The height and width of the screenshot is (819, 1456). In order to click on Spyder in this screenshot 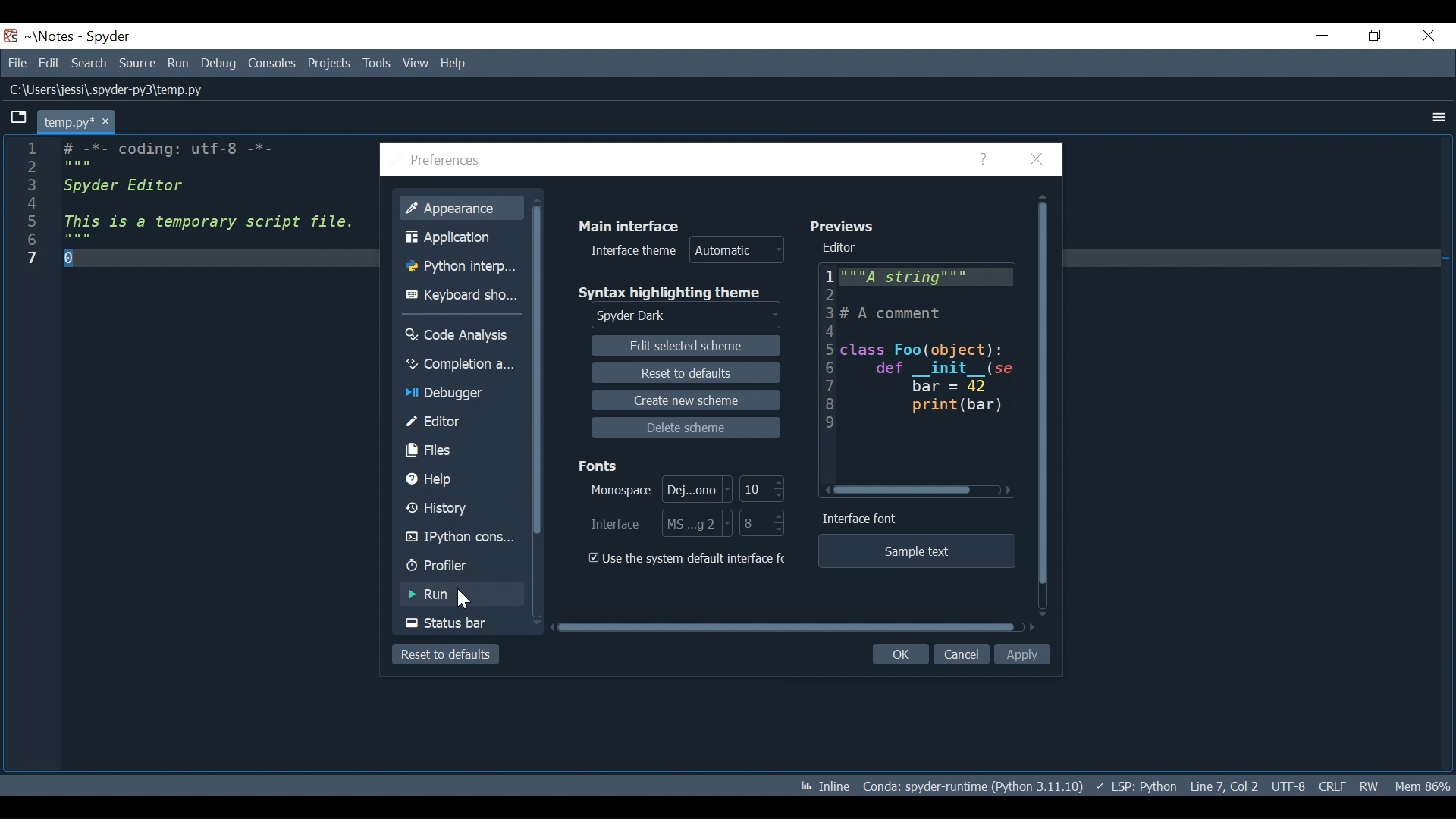, I will do `click(108, 38)`.